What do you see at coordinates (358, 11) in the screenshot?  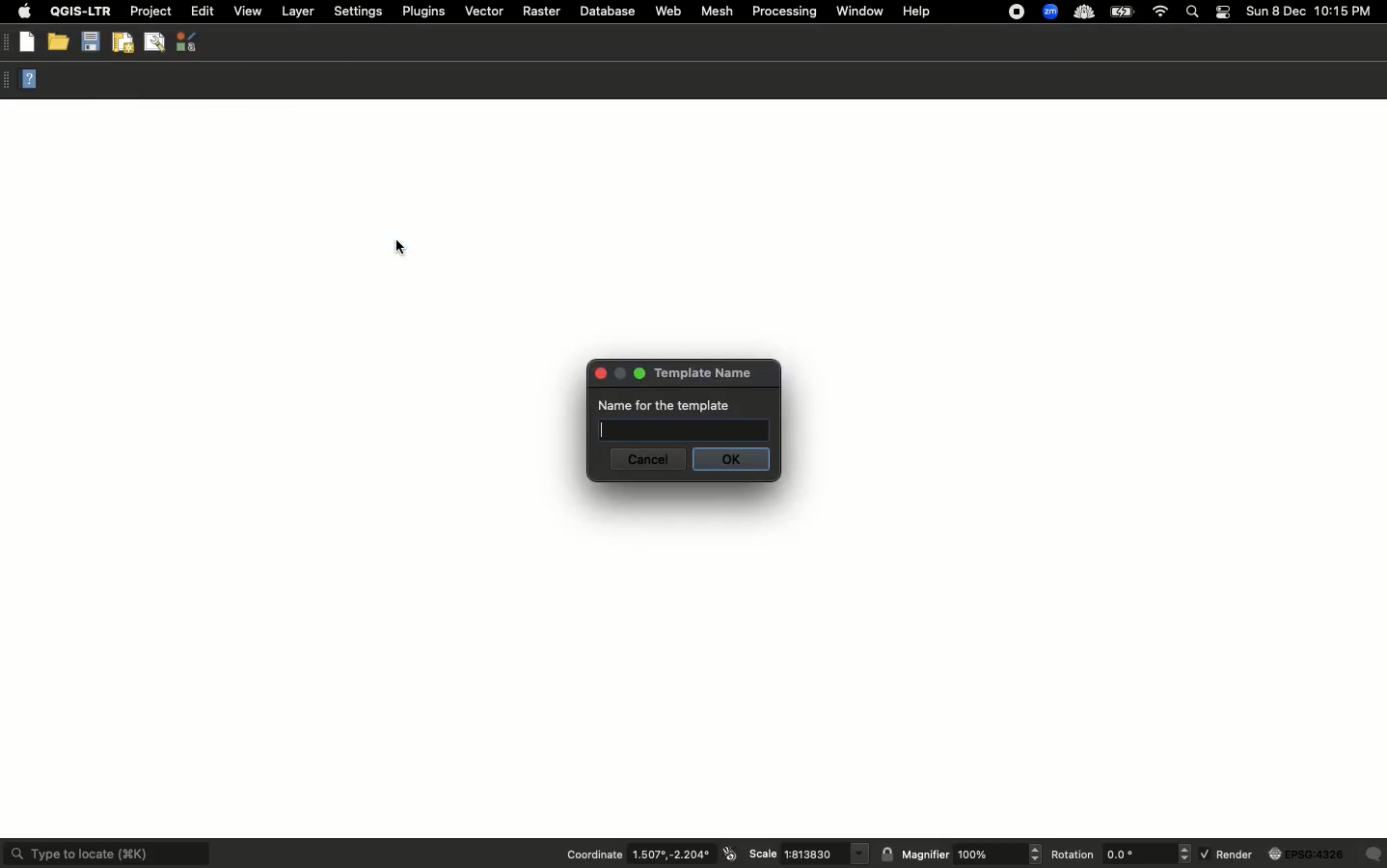 I see `Settings` at bounding box center [358, 11].